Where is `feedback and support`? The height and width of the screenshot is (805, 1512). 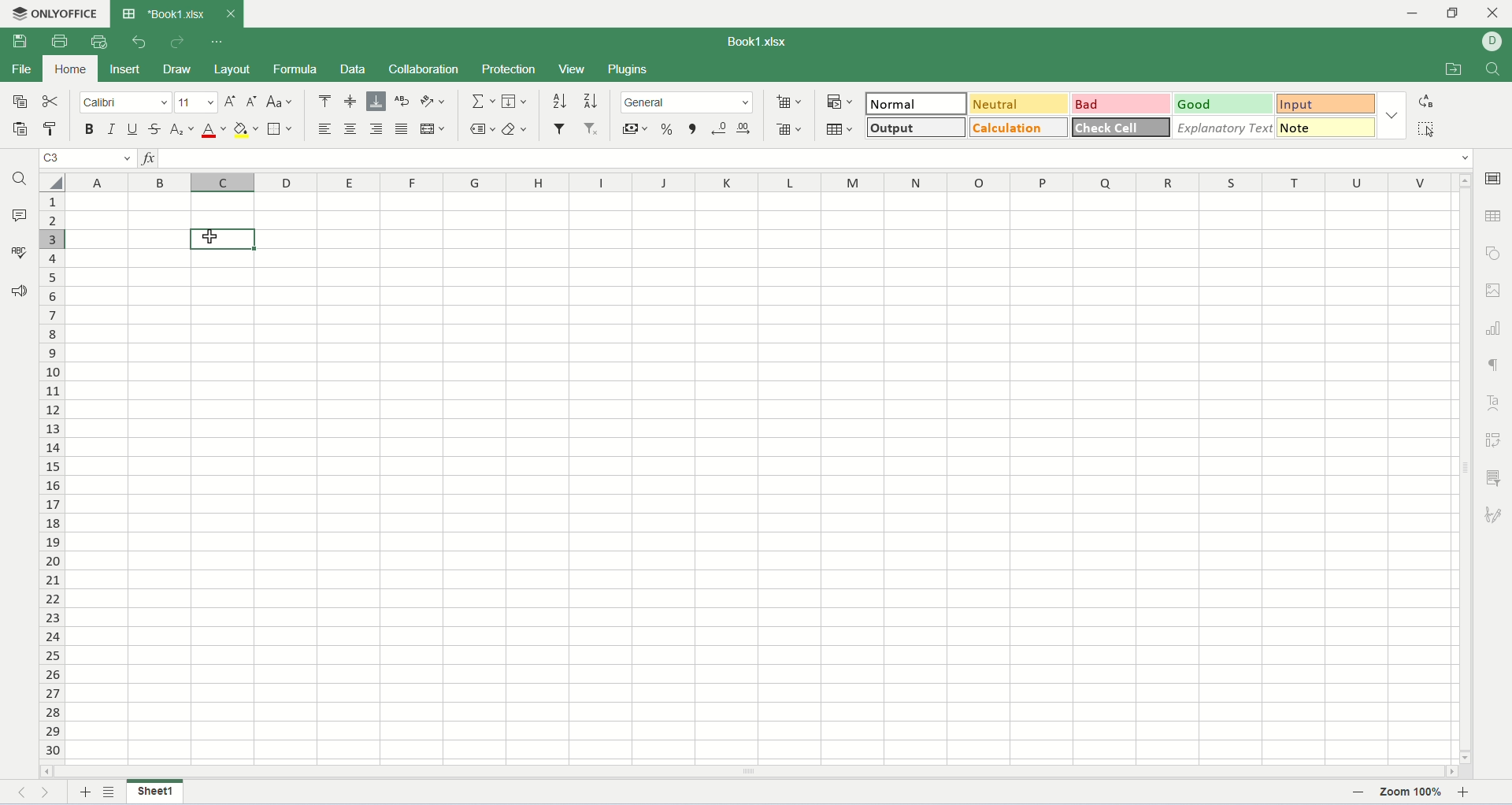
feedback and support is located at coordinates (18, 288).